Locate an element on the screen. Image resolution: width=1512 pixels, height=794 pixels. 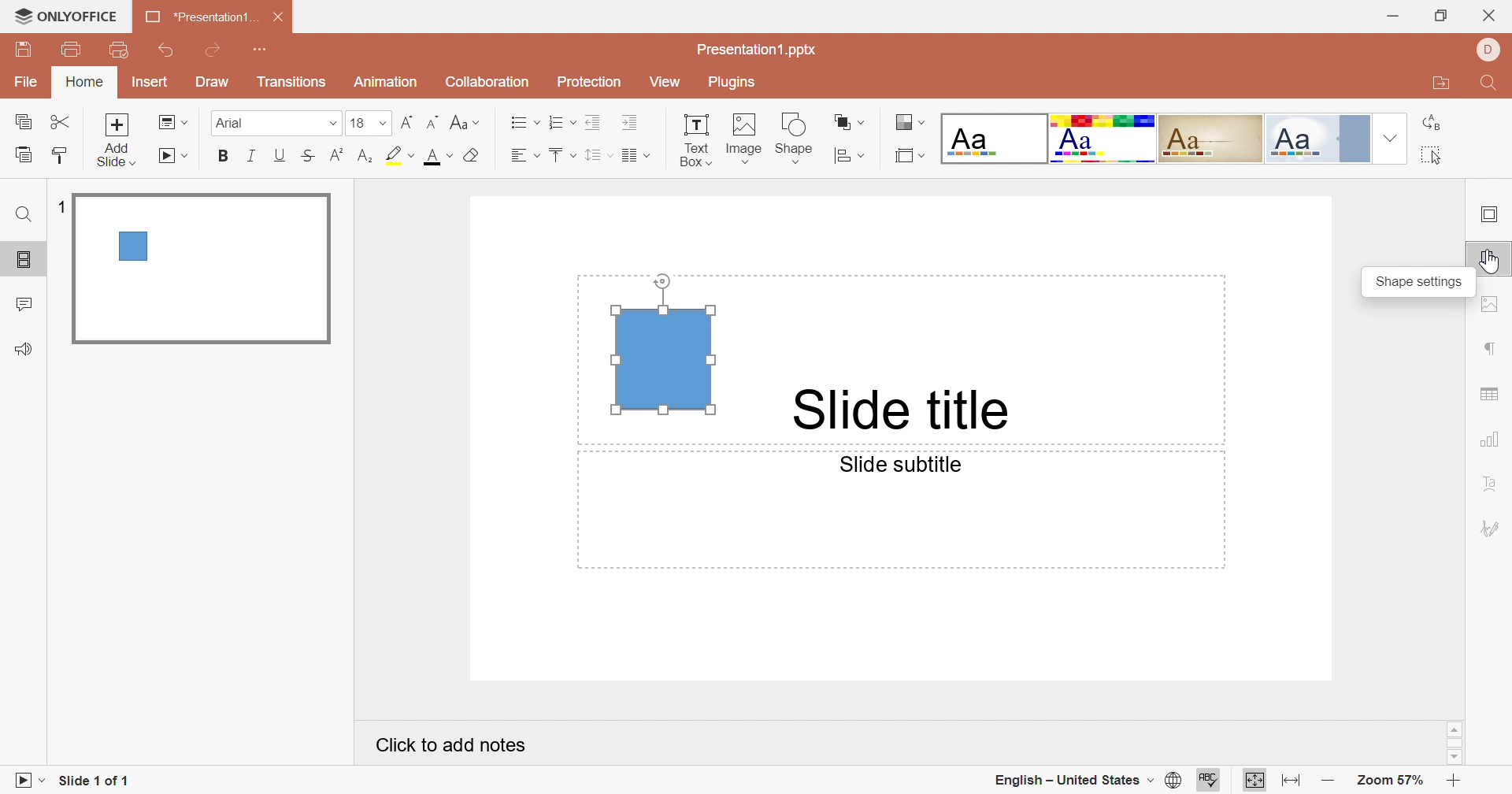
Presentation1.pptx is located at coordinates (764, 51).